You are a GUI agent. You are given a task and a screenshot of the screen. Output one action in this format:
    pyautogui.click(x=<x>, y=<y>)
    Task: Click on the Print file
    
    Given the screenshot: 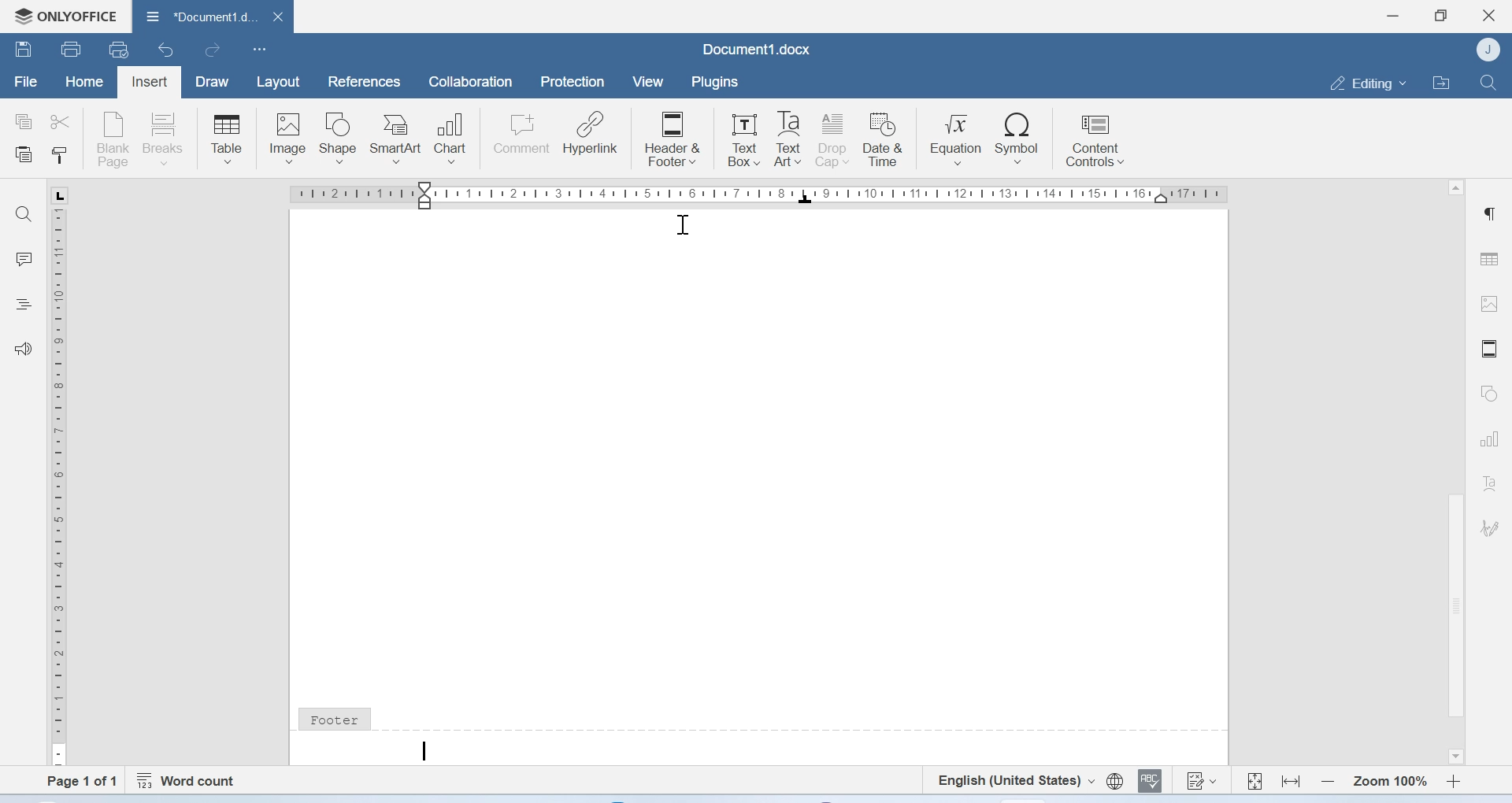 What is the action you would take?
    pyautogui.click(x=70, y=48)
    